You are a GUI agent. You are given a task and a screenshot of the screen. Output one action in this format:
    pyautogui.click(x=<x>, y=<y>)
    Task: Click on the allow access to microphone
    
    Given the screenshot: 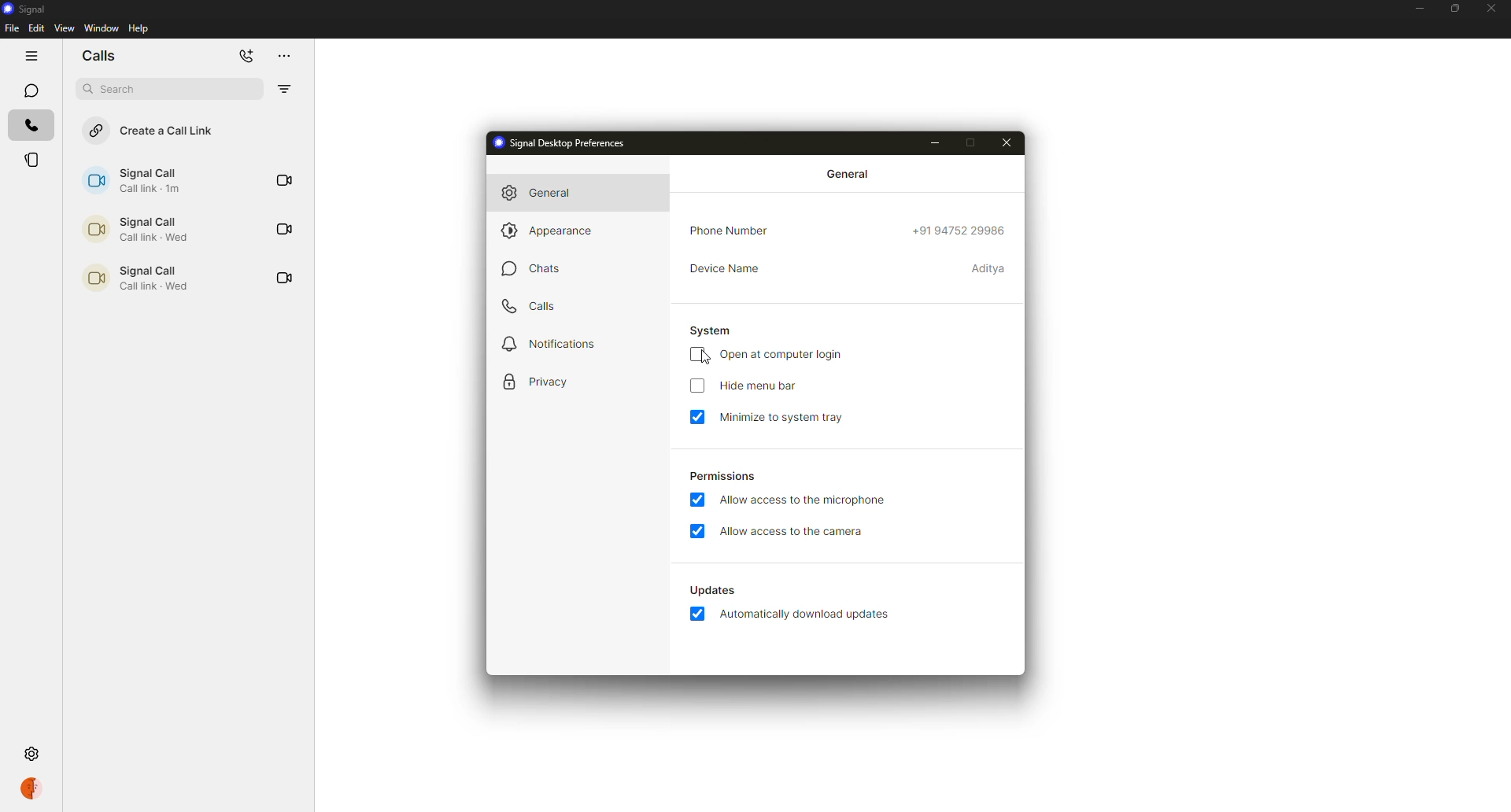 What is the action you would take?
    pyautogui.click(x=801, y=500)
    